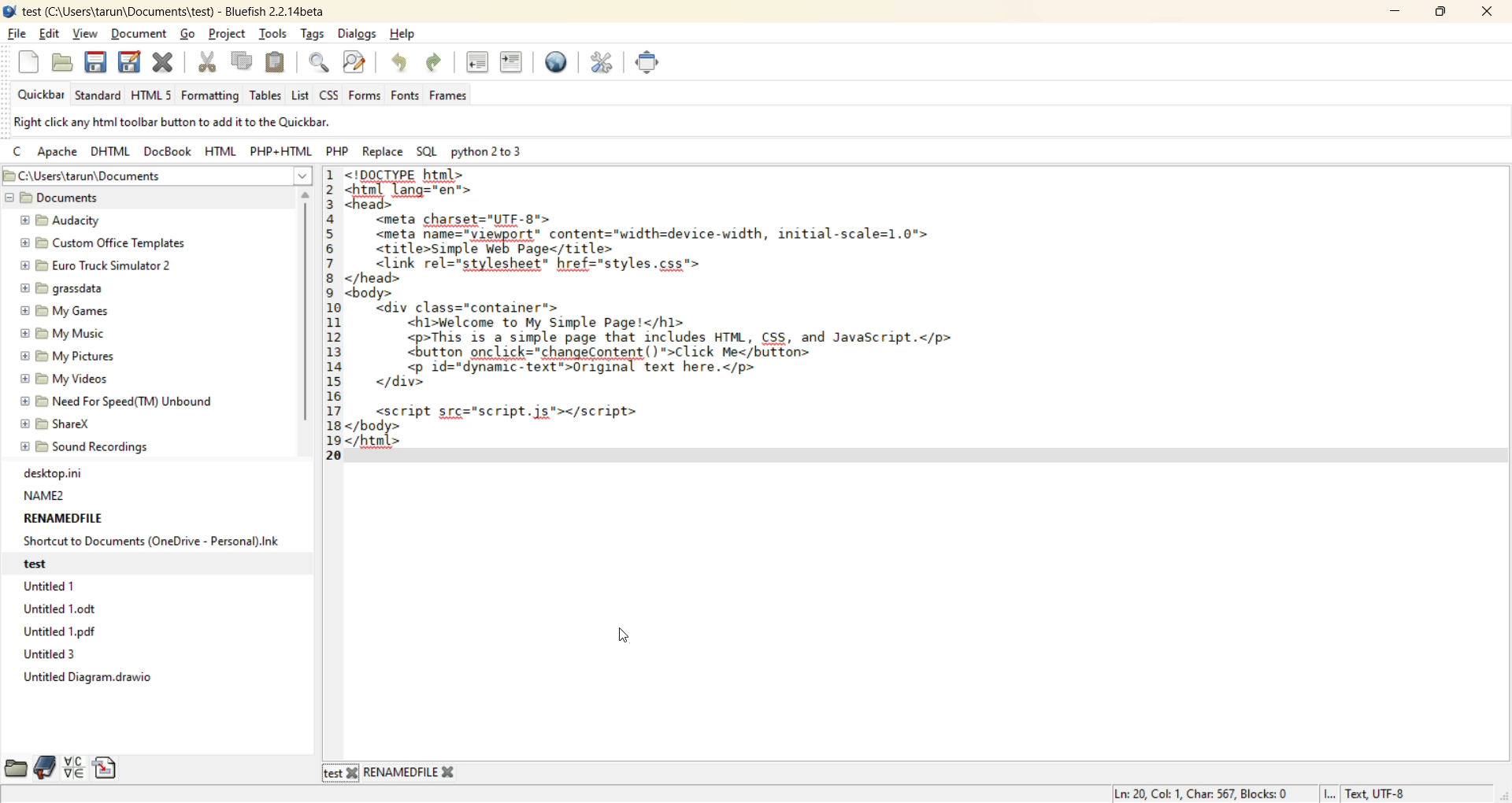 The width and height of the screenshot is (1512, 803). I want to click on css, so click(329, 95).